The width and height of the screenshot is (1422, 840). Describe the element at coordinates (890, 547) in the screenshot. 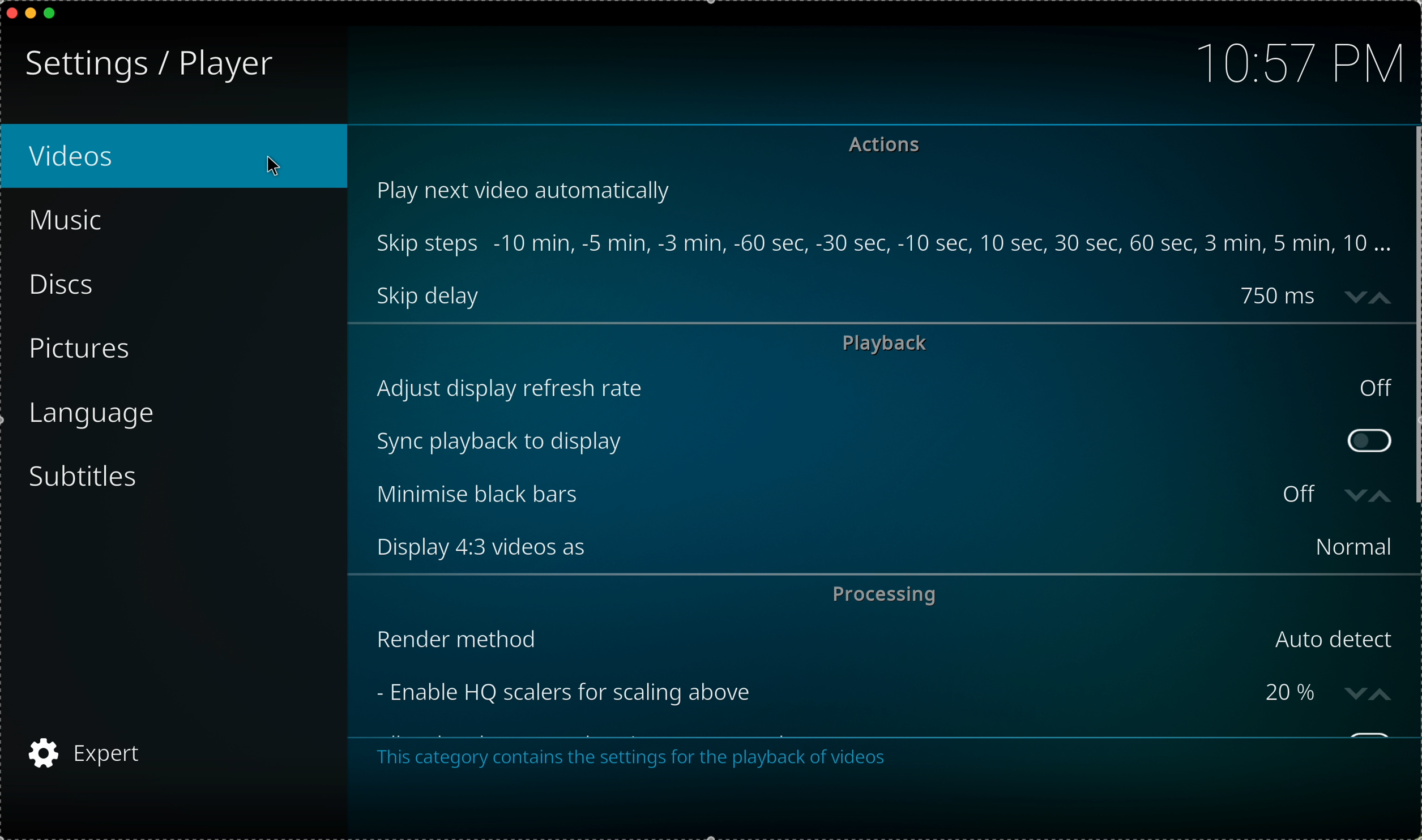

I see `display 4:3 videos as  Normal` at that location.